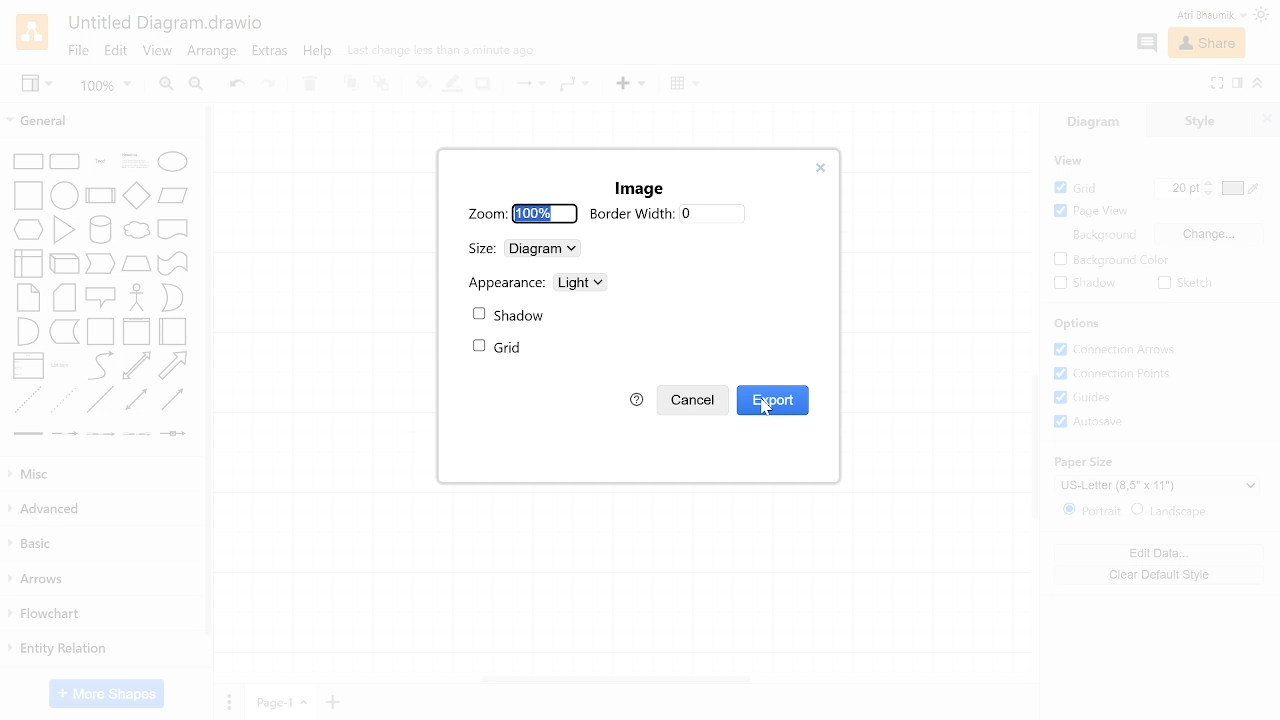 The image size is (1280, 720). I want to click on last change, so click(446, 51).